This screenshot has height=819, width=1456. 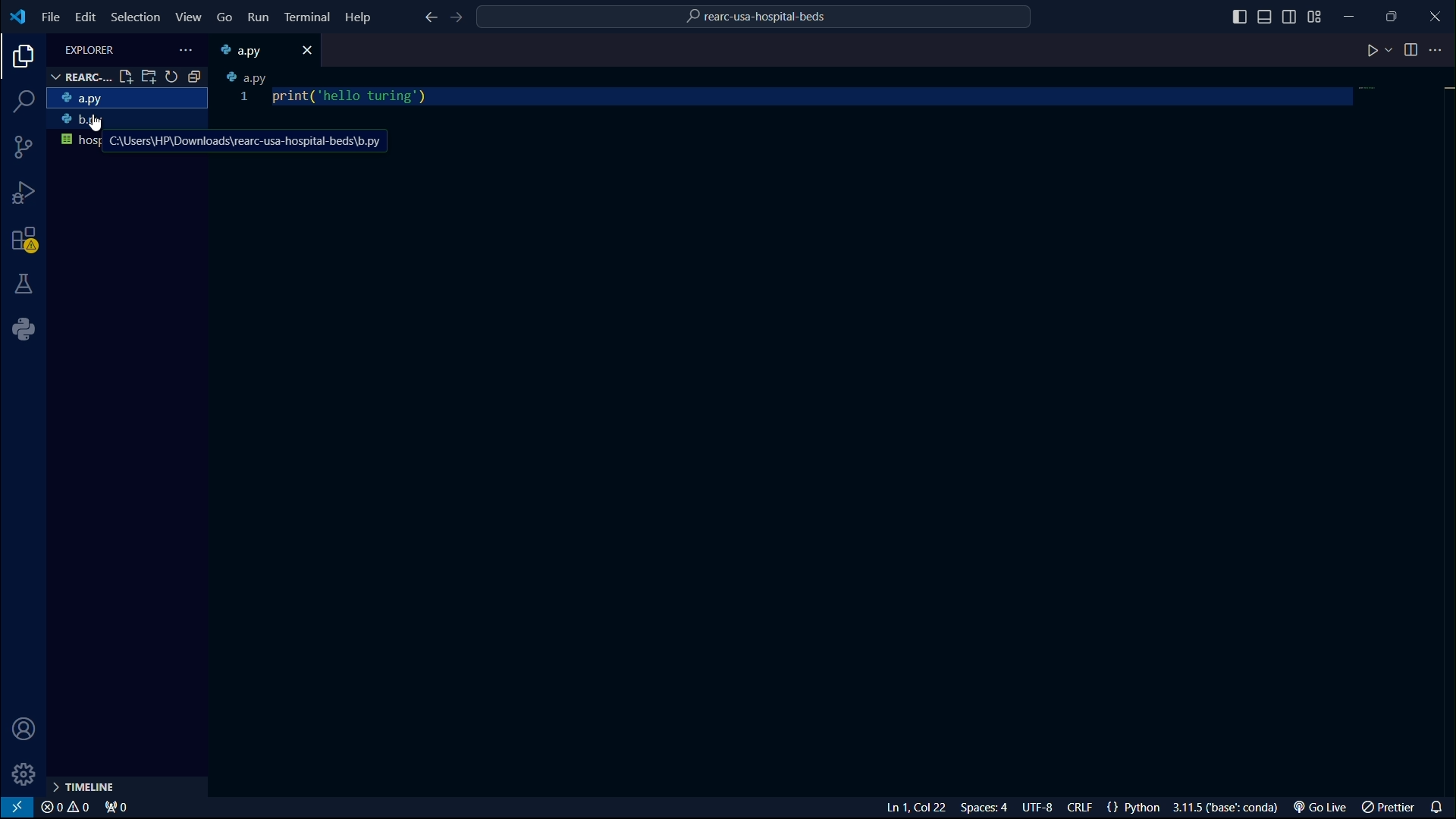 I want to click on problems, so click(x=67, y=808).